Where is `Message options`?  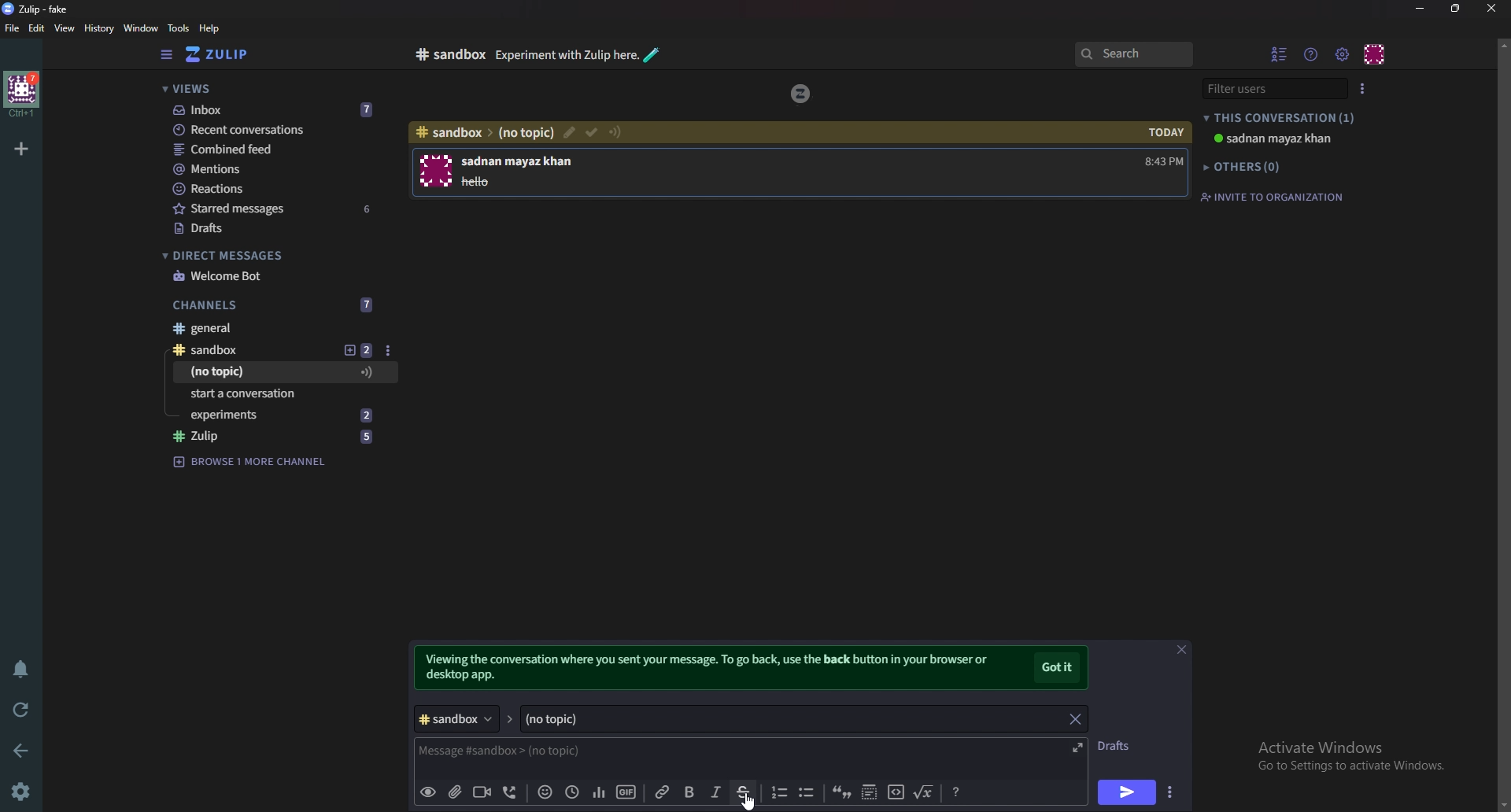
Message options is located at coordinates (389, 351).